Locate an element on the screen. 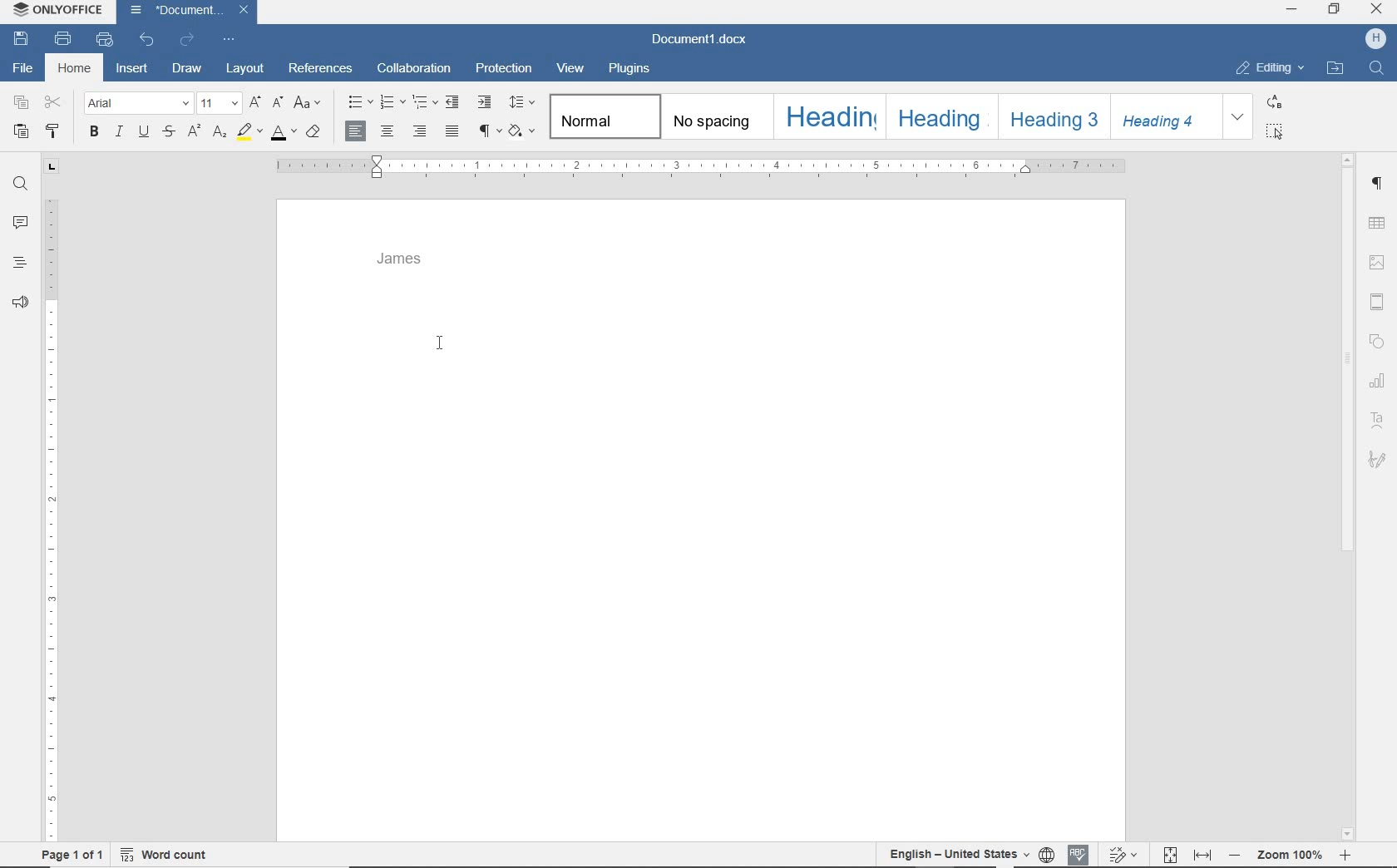 This screenshot has height=868, width=1397. paragraph line spacing is located at coordinates (525, 102).